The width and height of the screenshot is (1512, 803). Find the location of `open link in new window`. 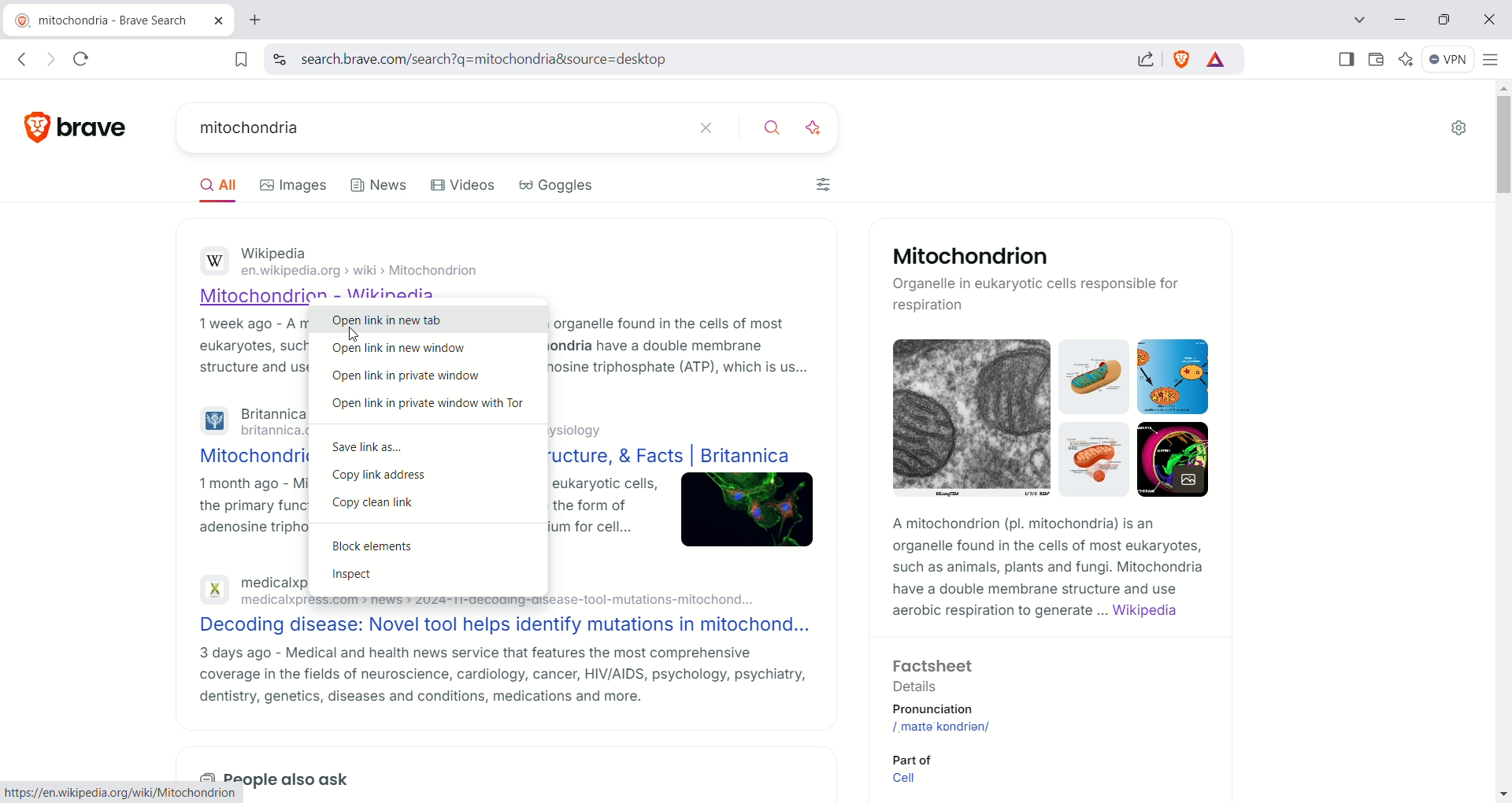

open link in new window is located at coordinates (398, 349).